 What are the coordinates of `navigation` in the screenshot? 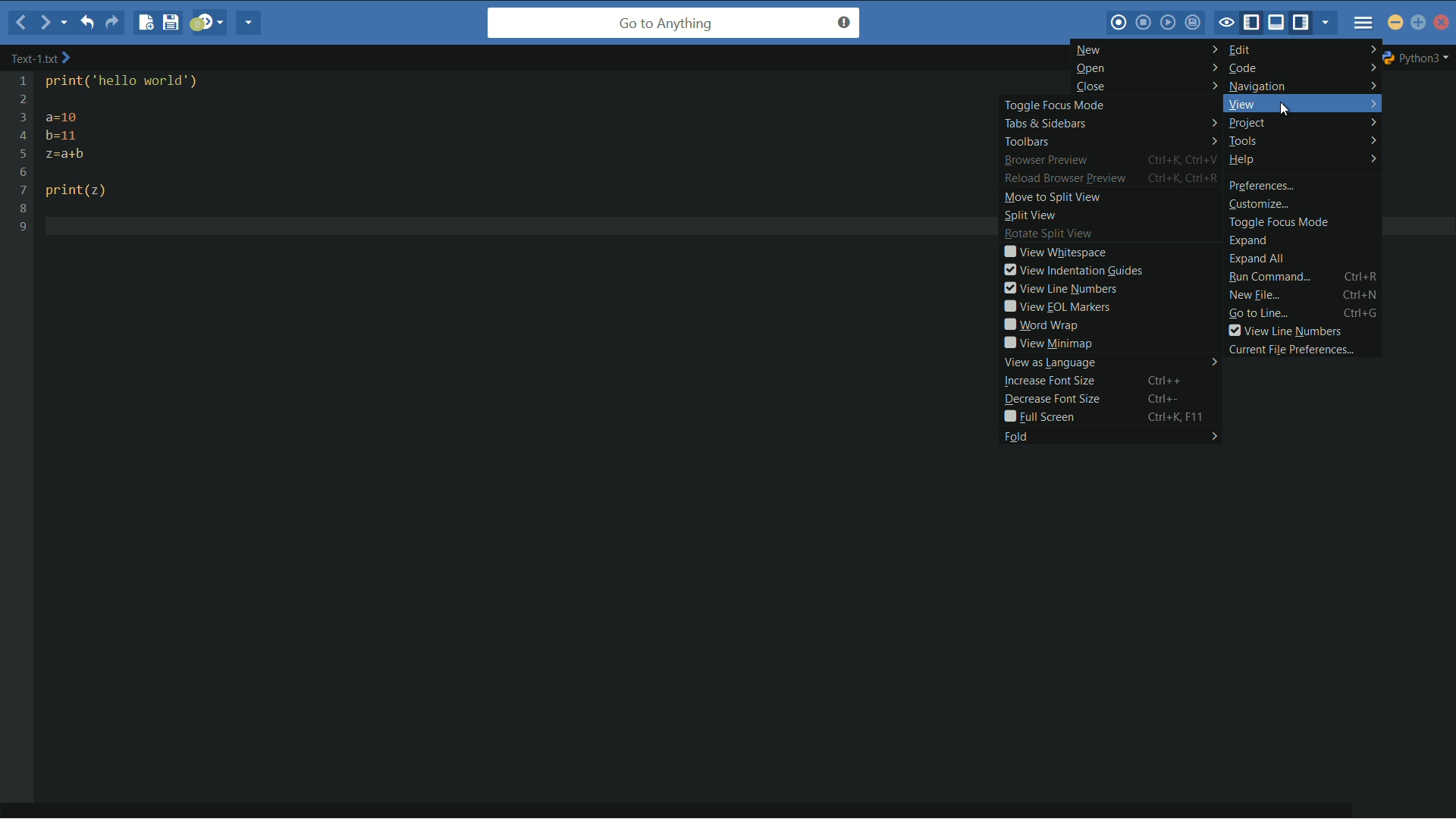 It's located at (1298, 86).